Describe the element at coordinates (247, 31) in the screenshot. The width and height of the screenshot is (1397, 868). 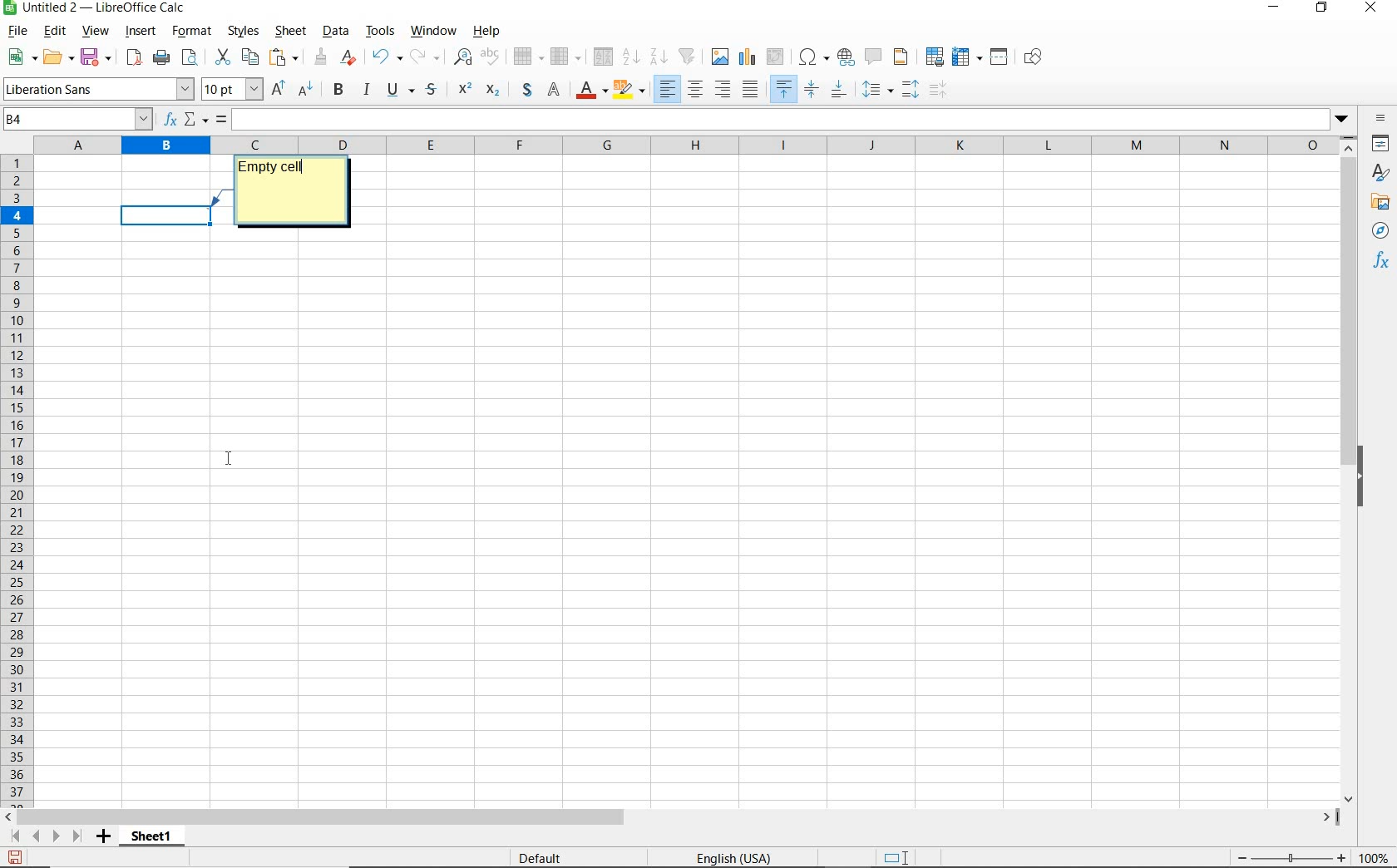
I see `styles` at that location.